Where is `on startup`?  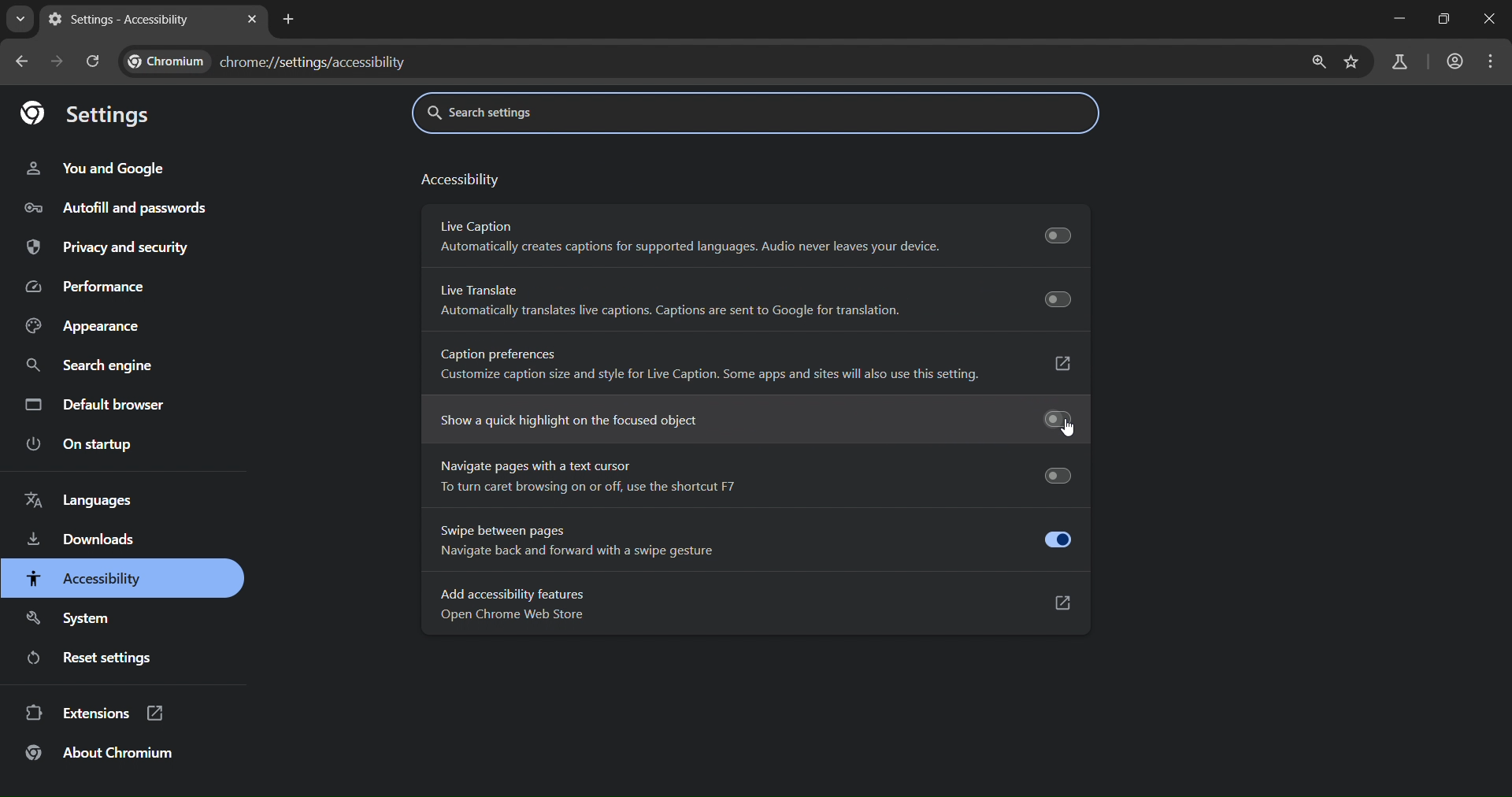 on startup is located at coordinates (82, 445).